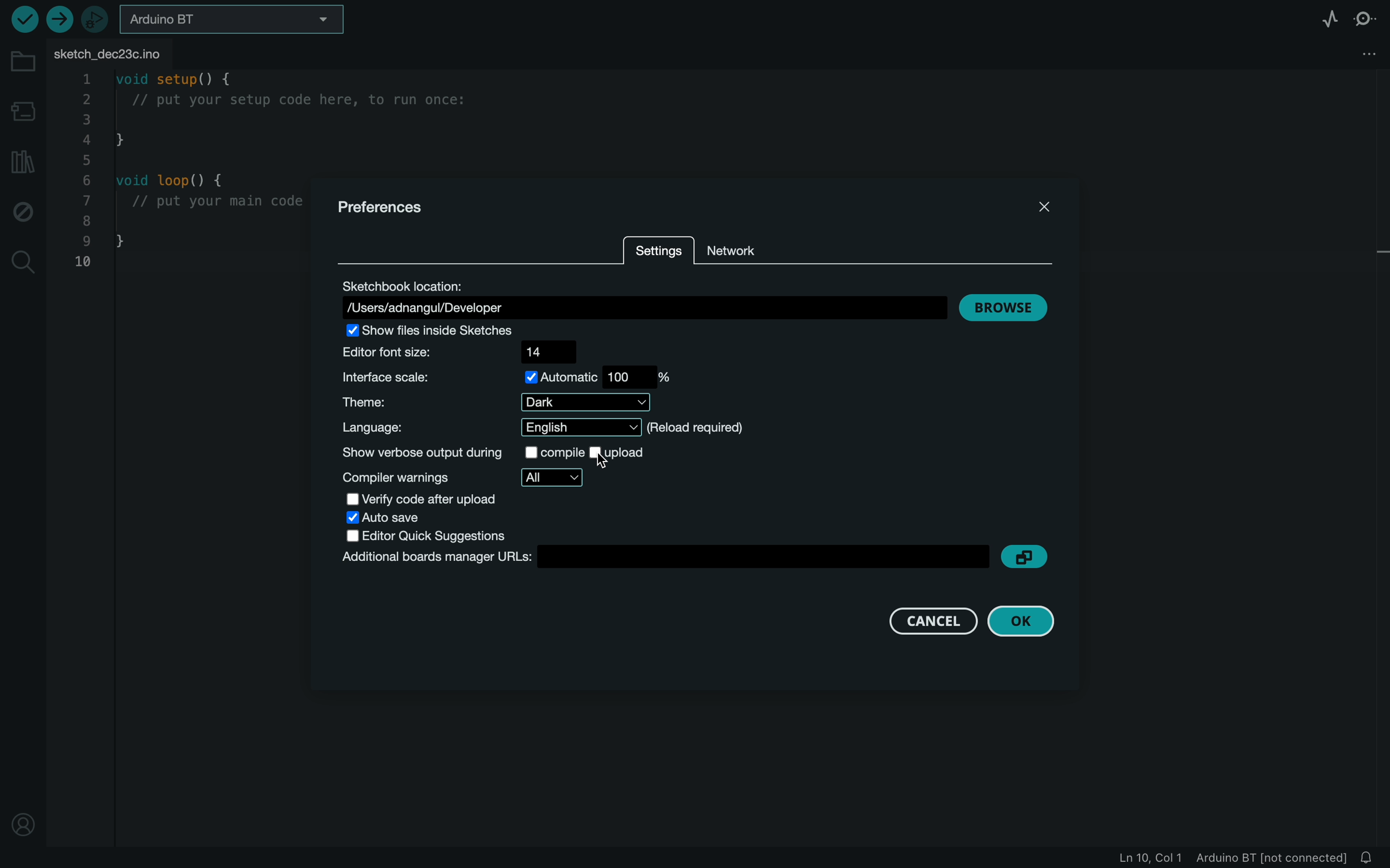 The height and width of the screenshot is (868, 1390). I want to click on theme, so click(495, 403).